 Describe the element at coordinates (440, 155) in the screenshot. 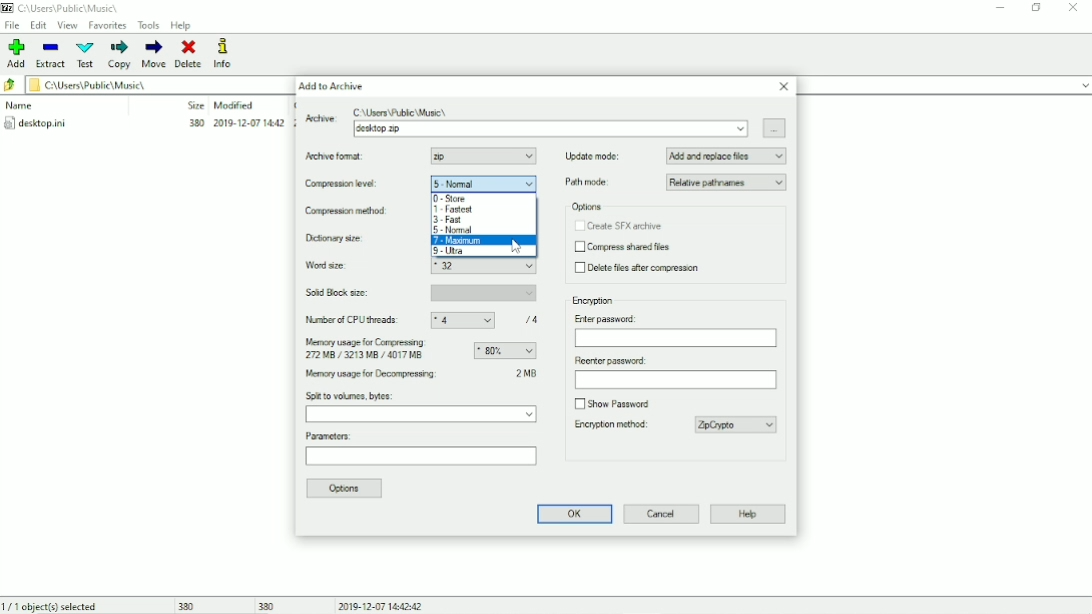

I see `7z` at that location.